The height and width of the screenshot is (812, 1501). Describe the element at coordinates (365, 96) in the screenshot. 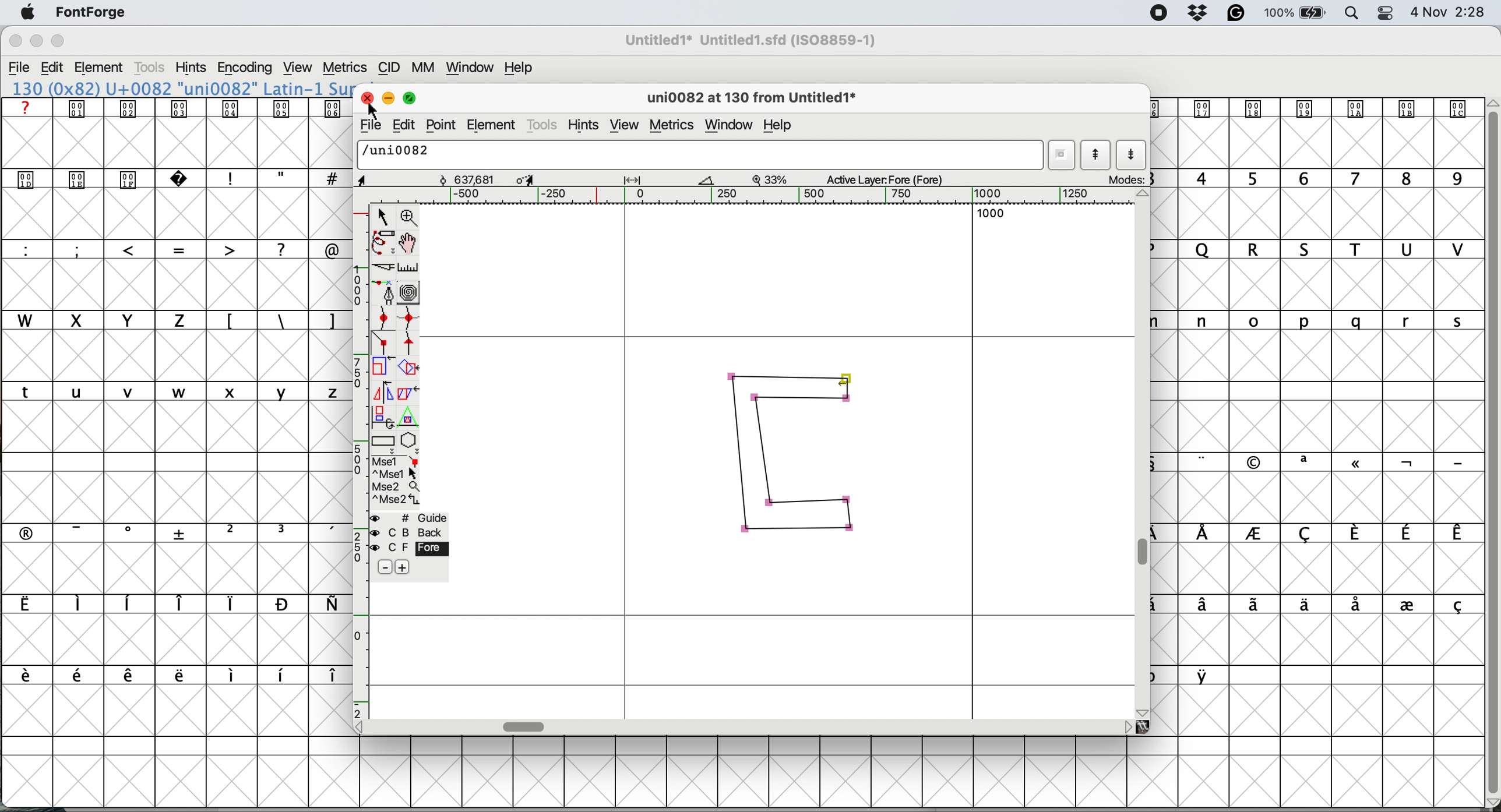

I see `close` at that location.